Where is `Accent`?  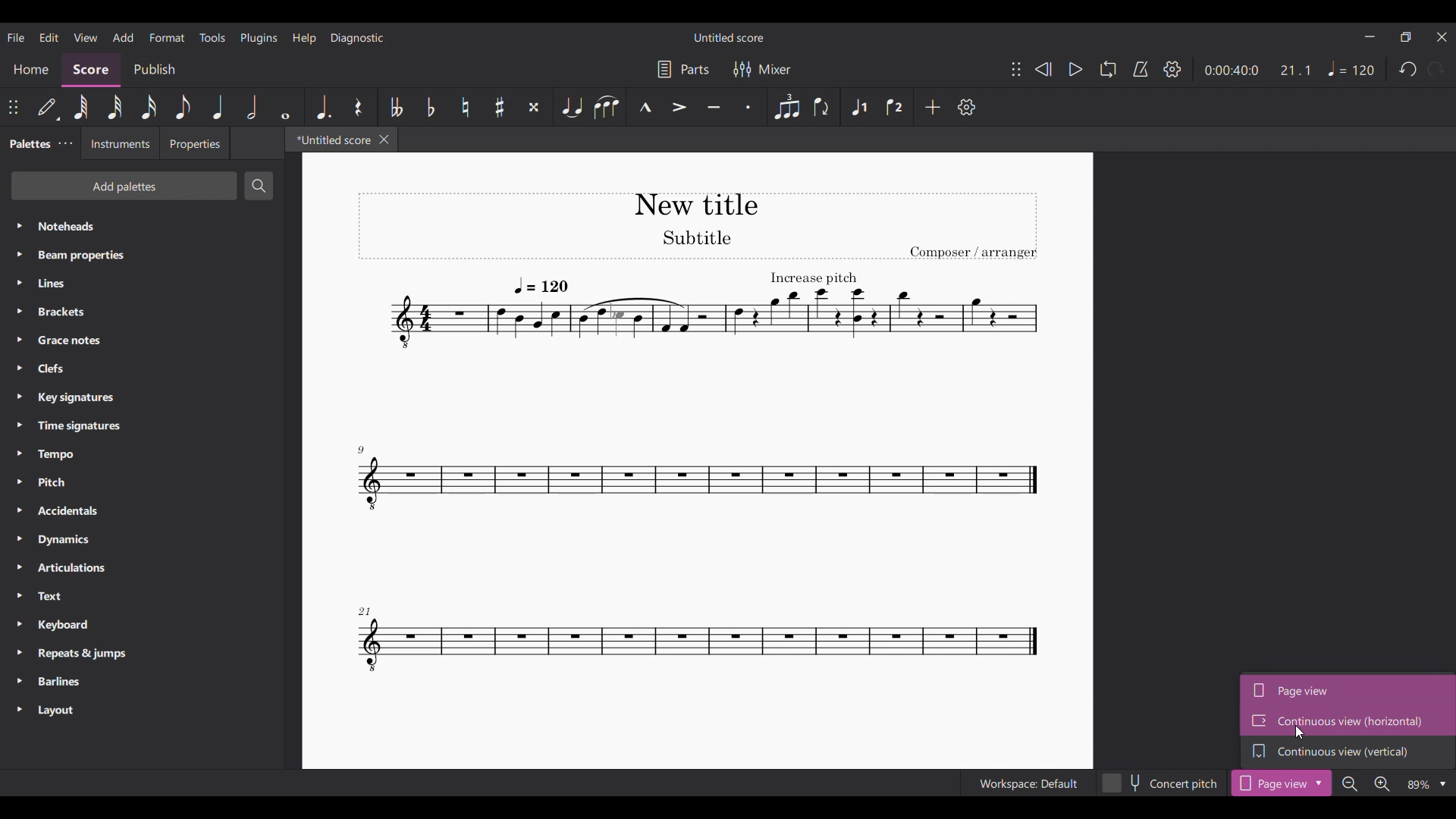 Accent is located at coordinates (679, 106).